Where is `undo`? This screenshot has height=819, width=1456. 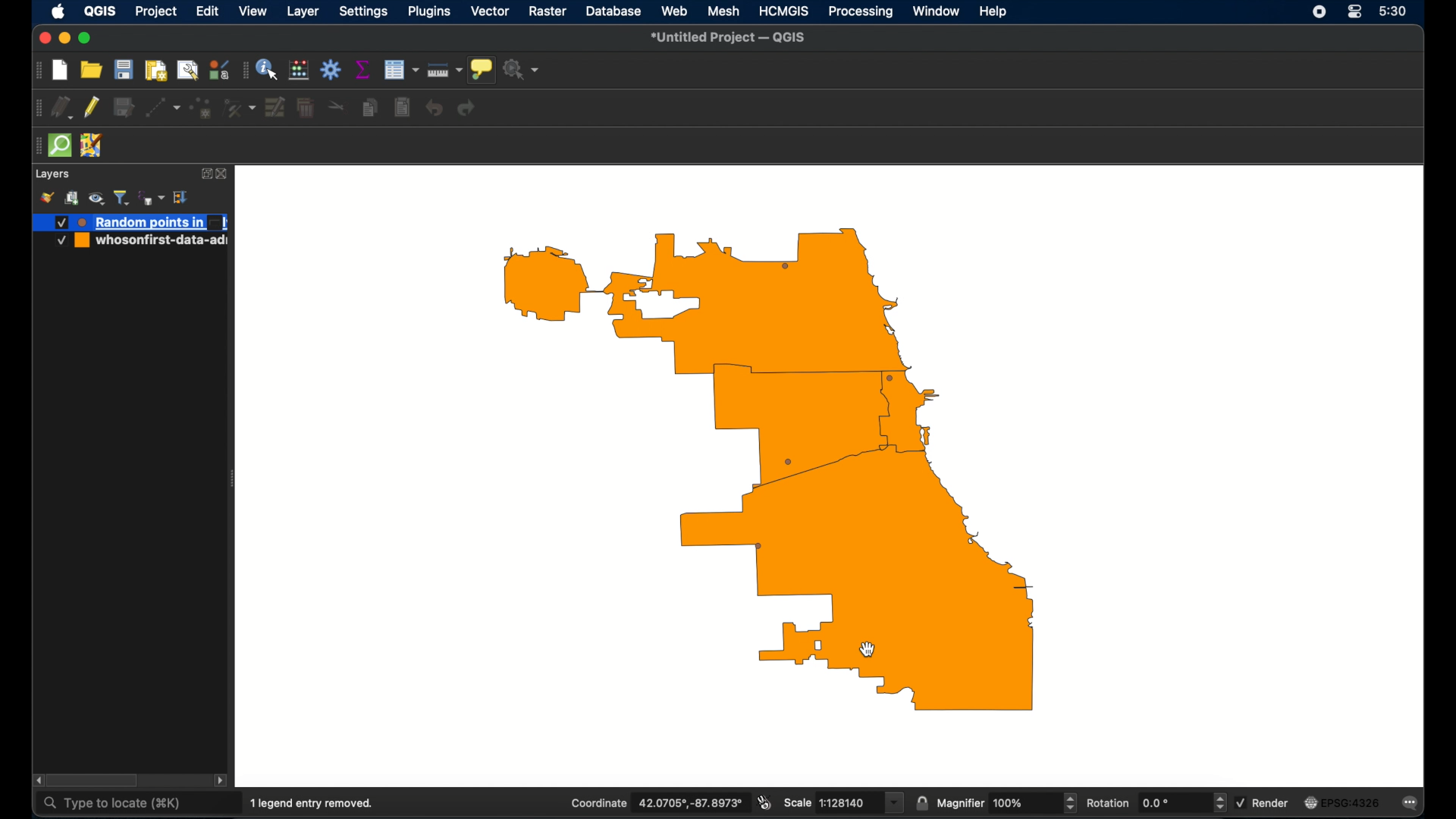 undo is located at coordinates (435, 108).